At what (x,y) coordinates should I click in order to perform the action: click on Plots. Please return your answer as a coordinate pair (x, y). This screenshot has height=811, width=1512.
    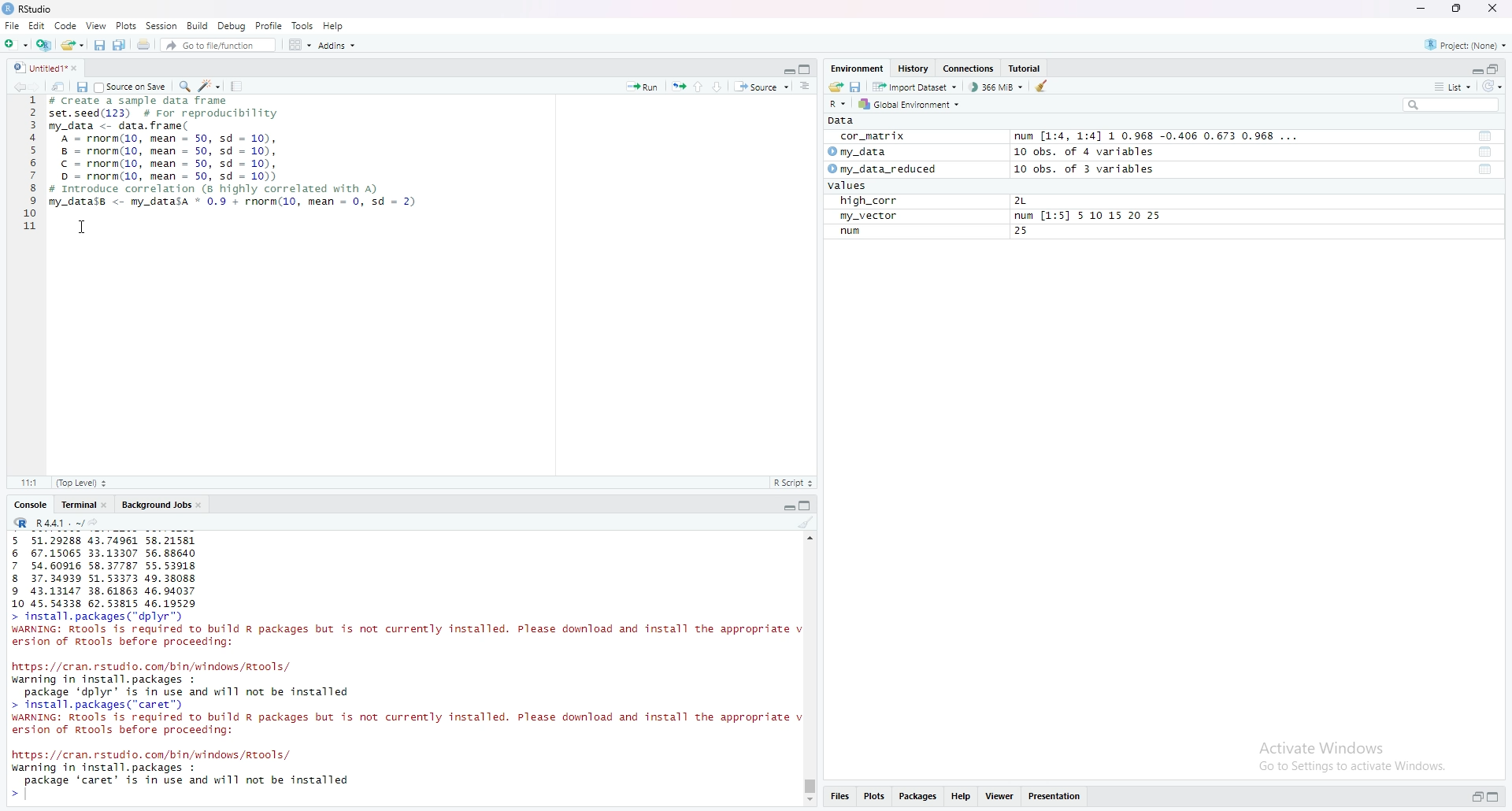
    Looking at the image, I should click on (873, 796).